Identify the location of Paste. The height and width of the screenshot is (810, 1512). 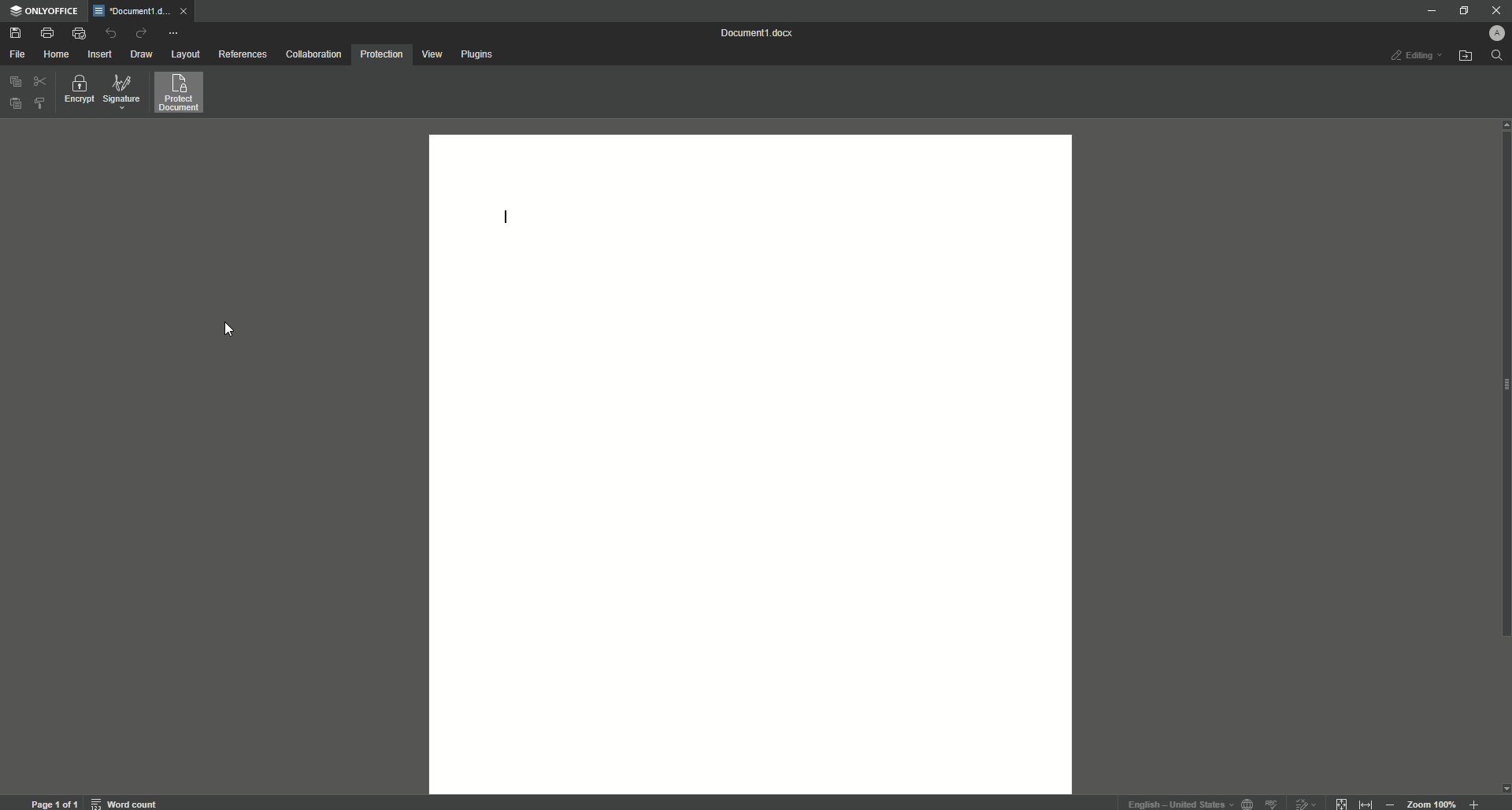
(13, 102).